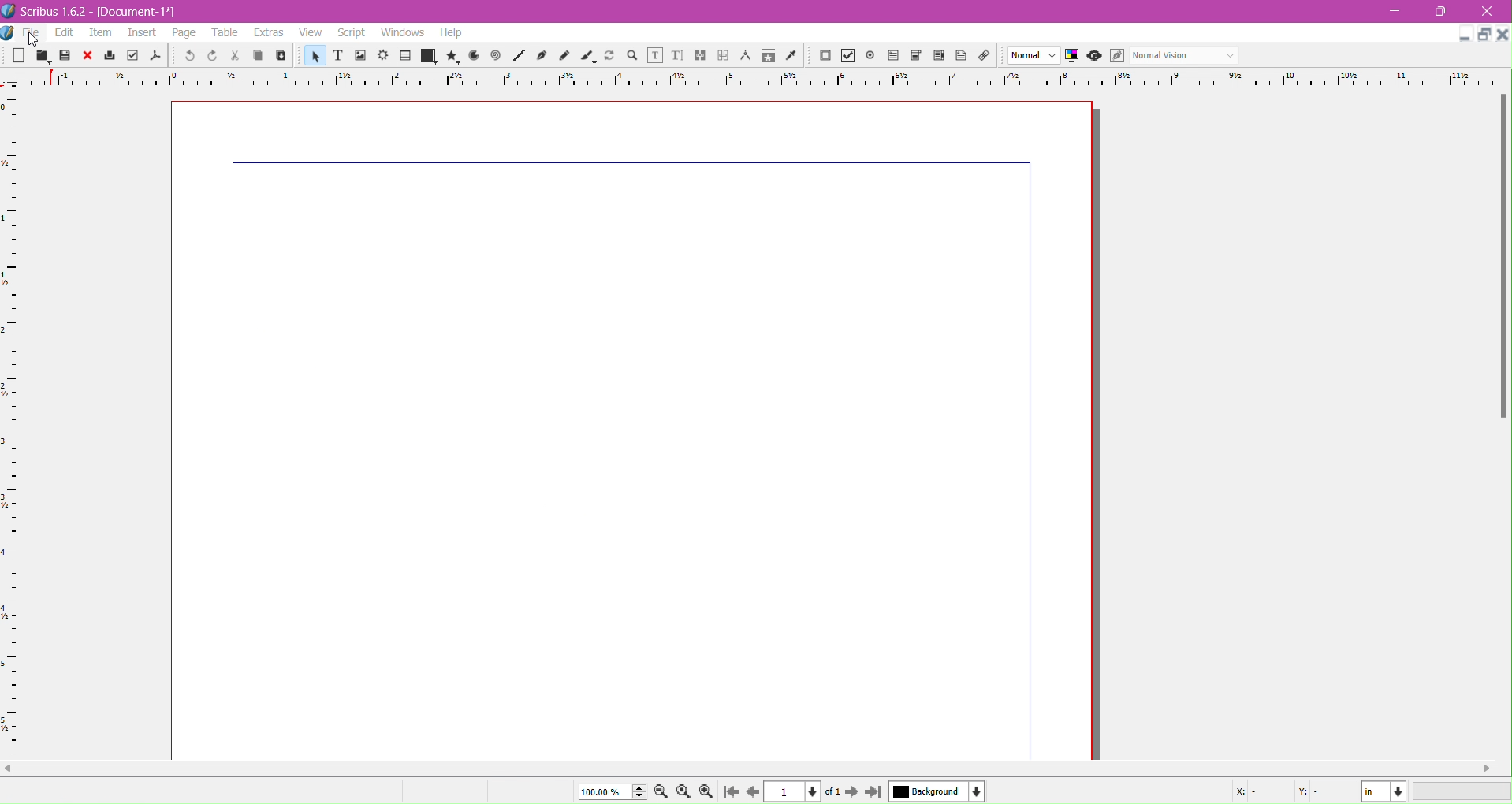  What do you see at coordinates (1116, 56) in the screenshot?
I see `edit preview mode` at bounding box center [1116, 56].